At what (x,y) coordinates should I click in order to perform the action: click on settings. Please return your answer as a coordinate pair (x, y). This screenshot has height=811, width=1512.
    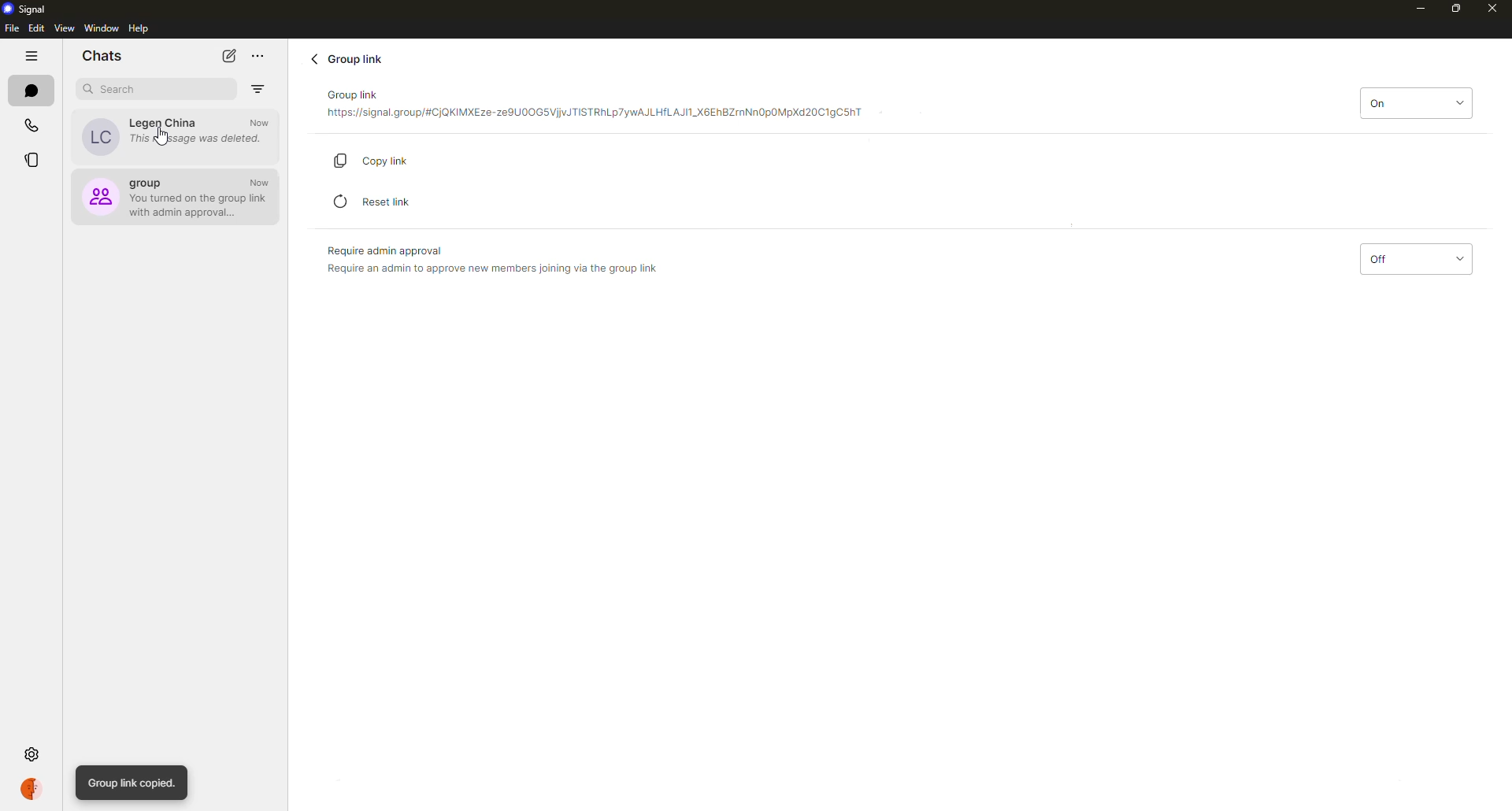
    Looking at the image, I should click on (33, 754).